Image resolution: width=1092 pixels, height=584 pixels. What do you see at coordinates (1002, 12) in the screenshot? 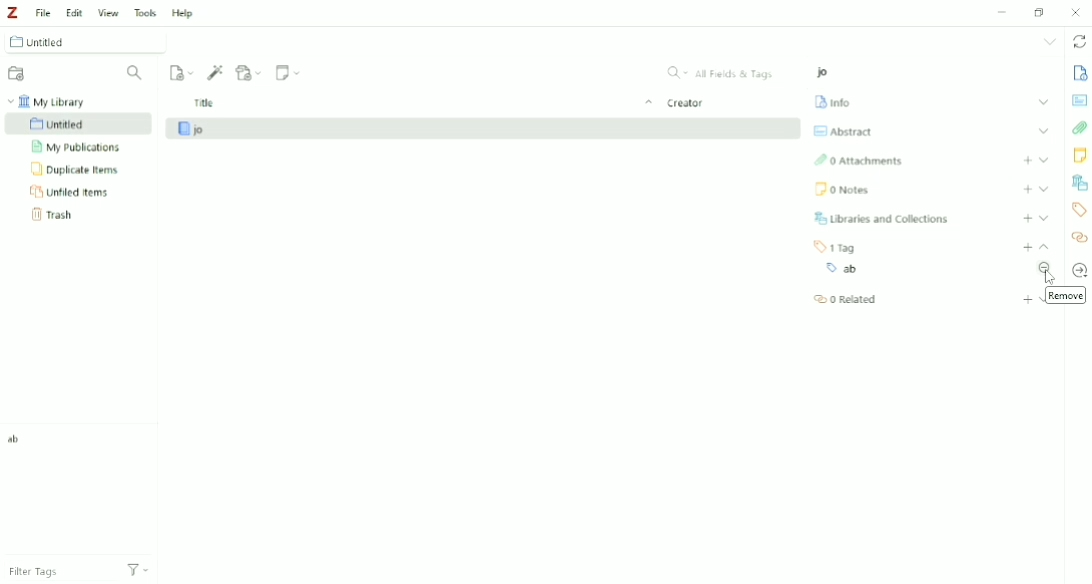
I see `Minimize` at bounding box center [1002, 12].